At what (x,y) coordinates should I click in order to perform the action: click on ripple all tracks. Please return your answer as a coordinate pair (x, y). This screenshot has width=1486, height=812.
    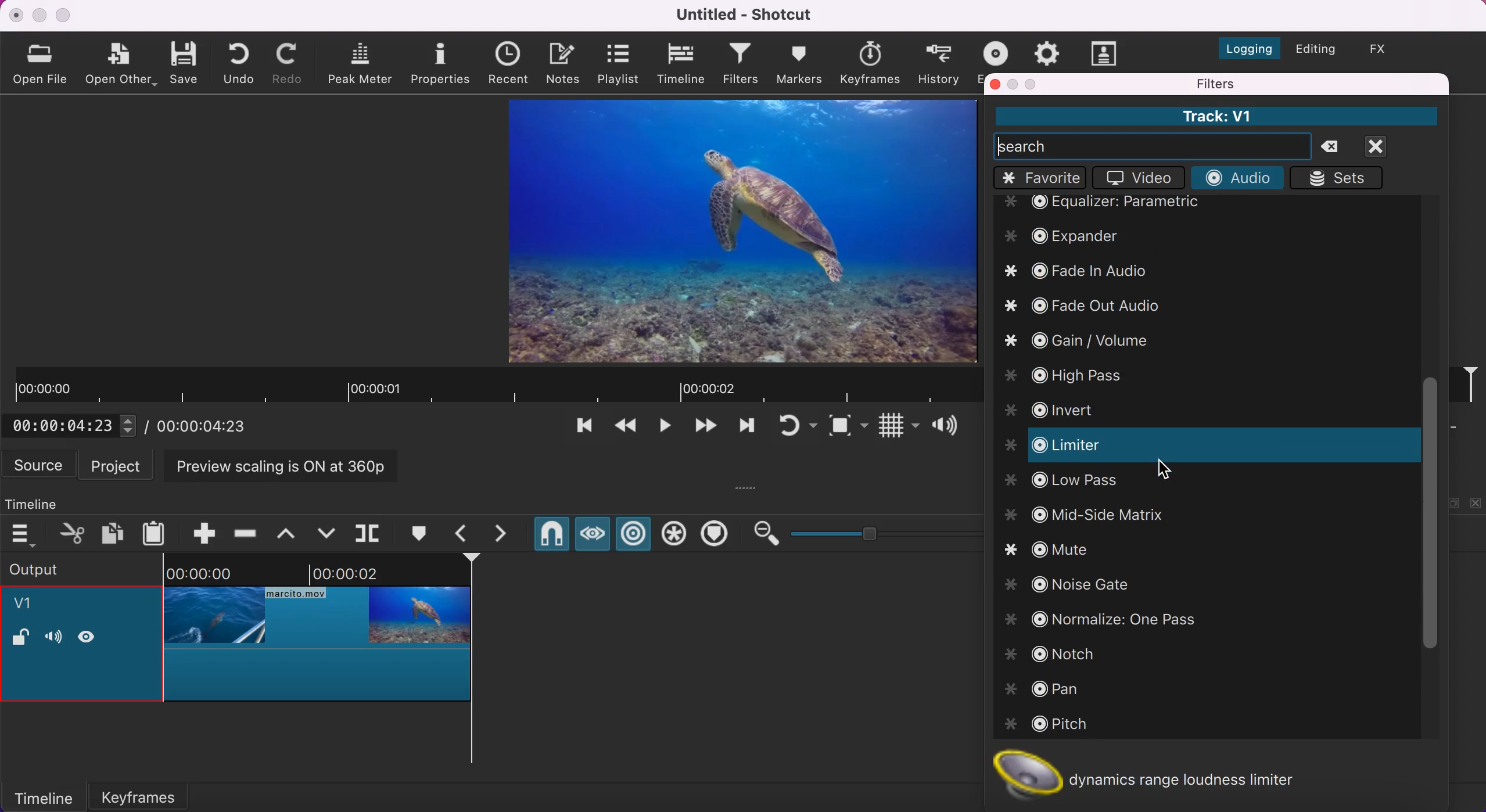
    Looking at the image, I should click on (674, 536).